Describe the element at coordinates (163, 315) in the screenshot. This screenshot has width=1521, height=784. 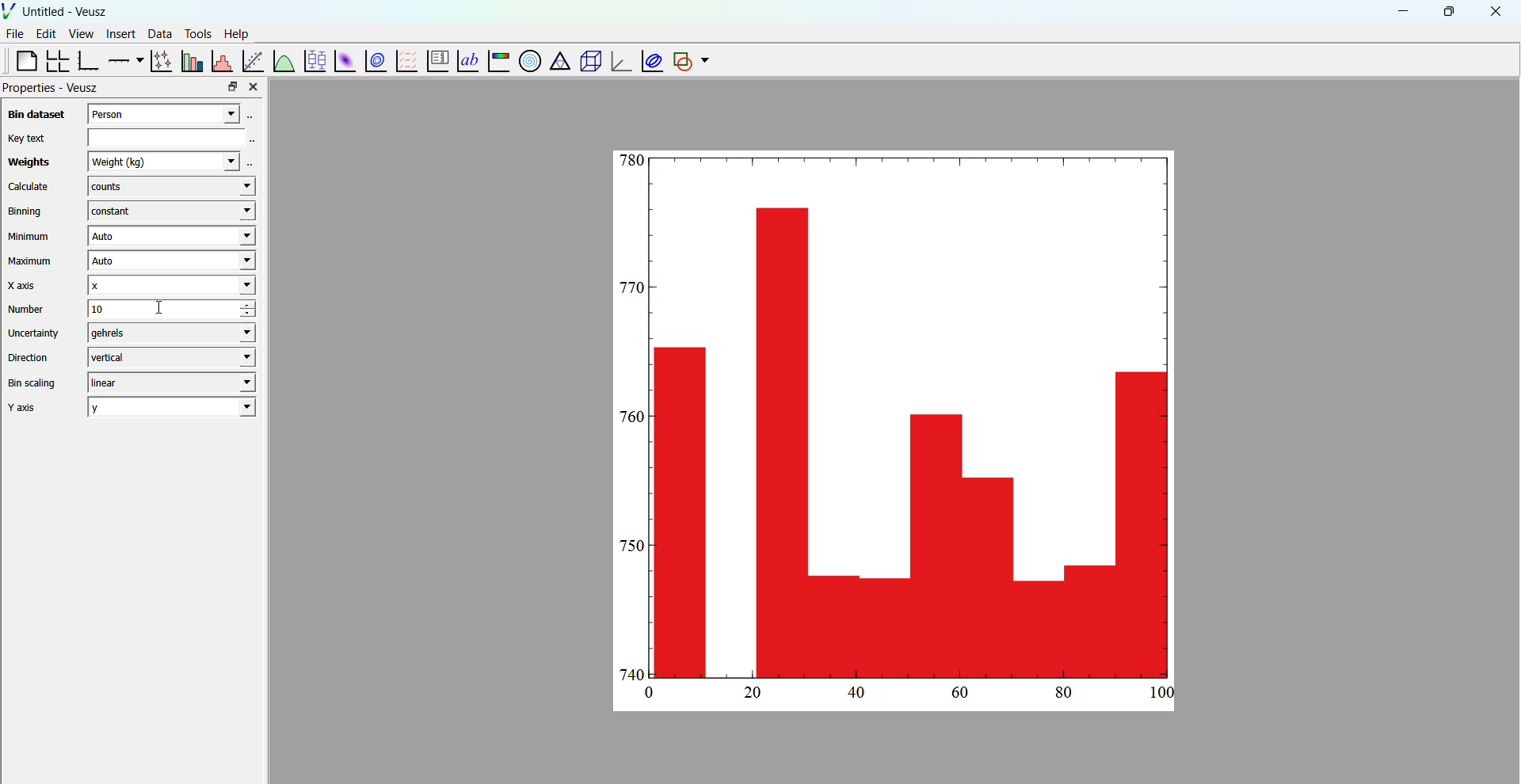
I see `cursor` at that location.